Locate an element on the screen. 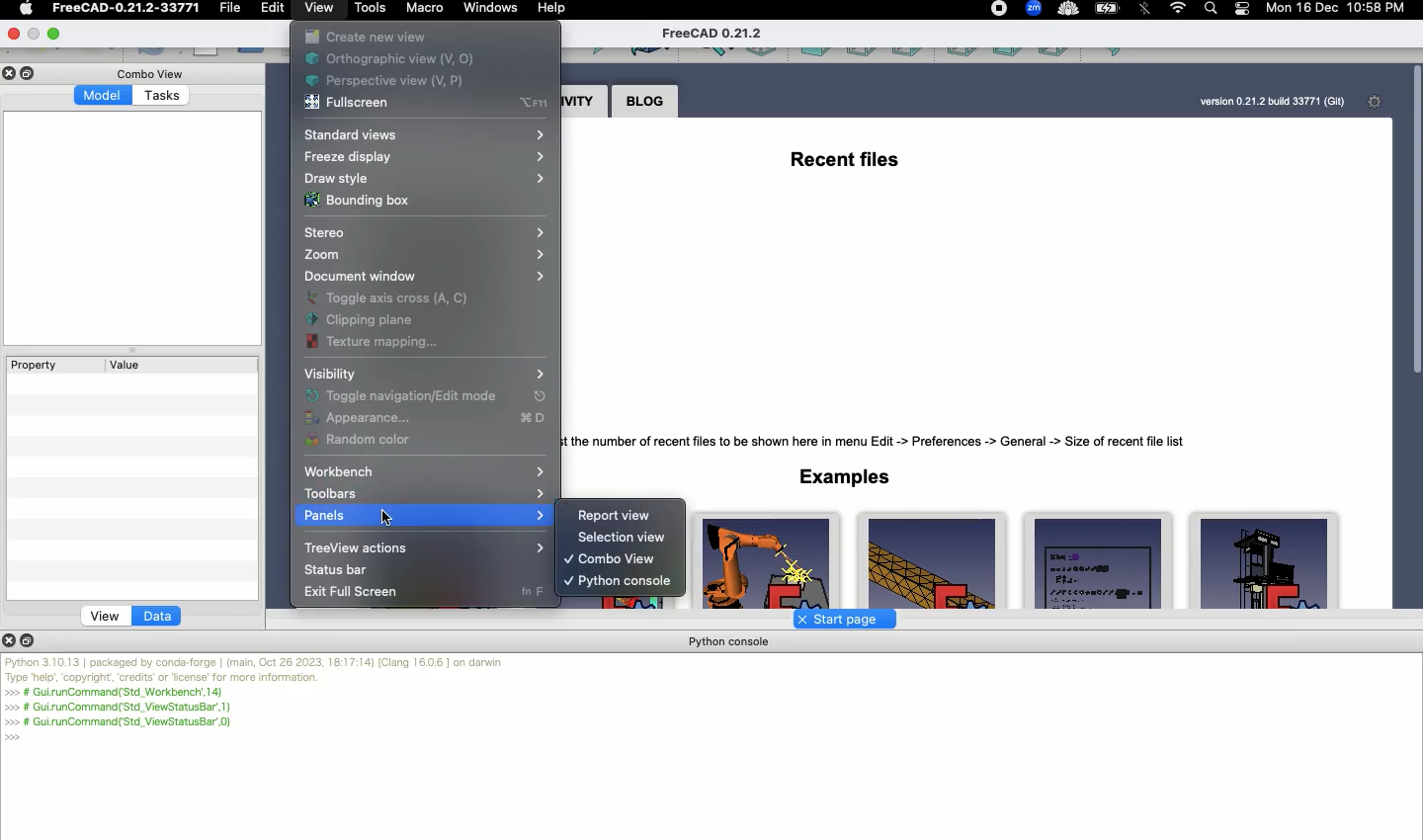 The height and width of the screenshot is (840, 1423). Blog is located at coordinates (645, 103).